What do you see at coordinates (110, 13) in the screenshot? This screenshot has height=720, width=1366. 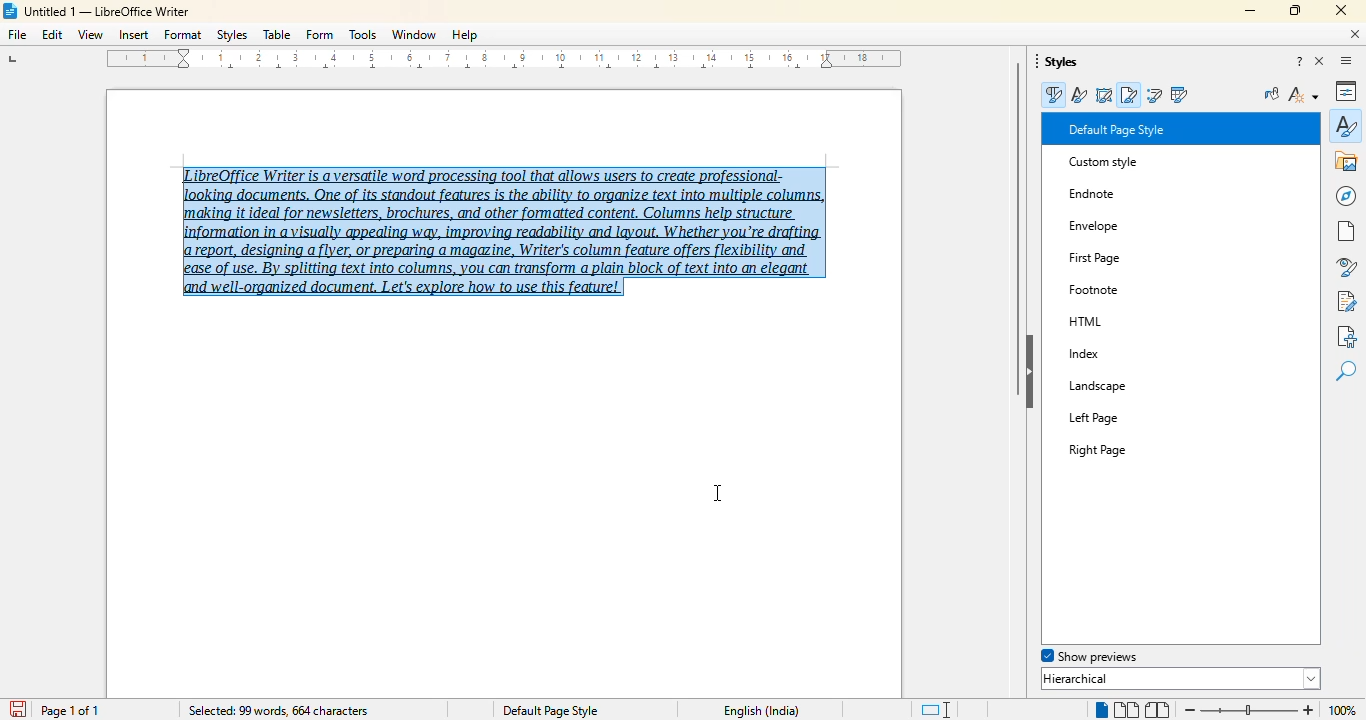 I see `Untitled 1 -- LibreOffice Writer` at bounding box center [110, 13].